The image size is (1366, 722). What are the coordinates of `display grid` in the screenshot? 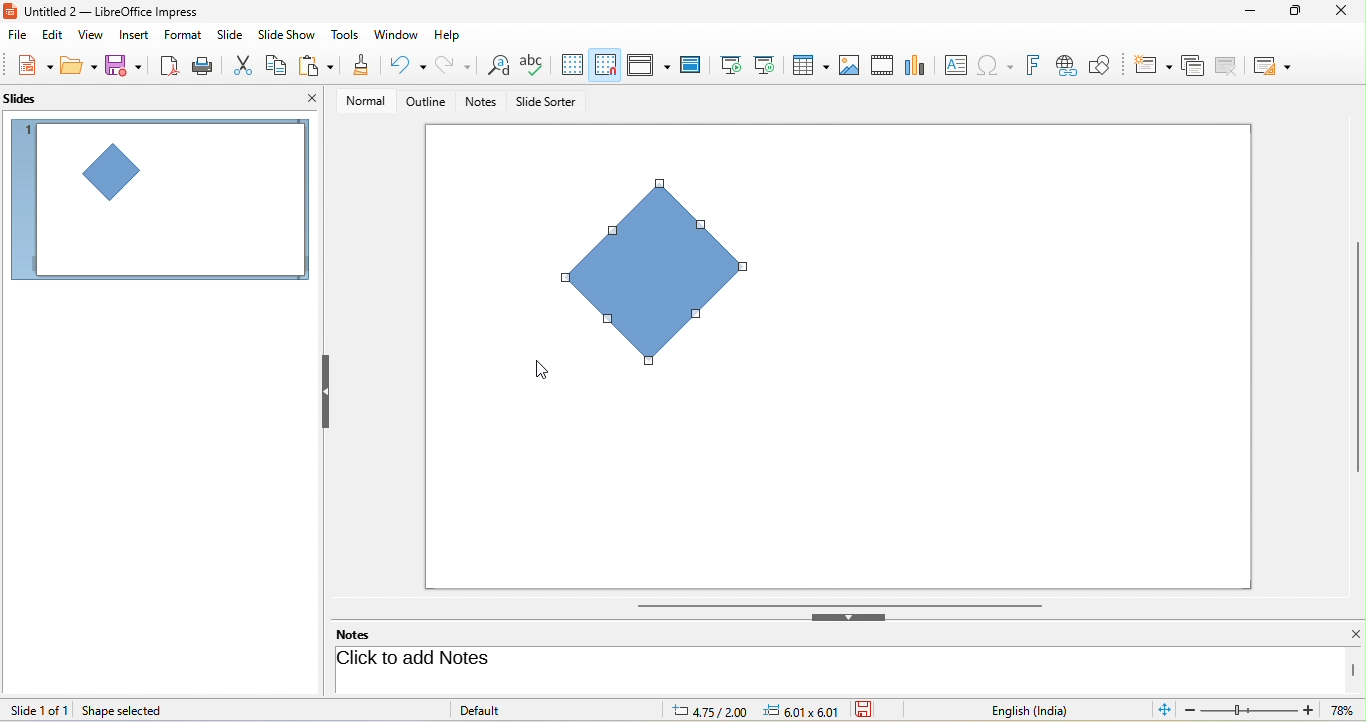 It's located at (572, 65).